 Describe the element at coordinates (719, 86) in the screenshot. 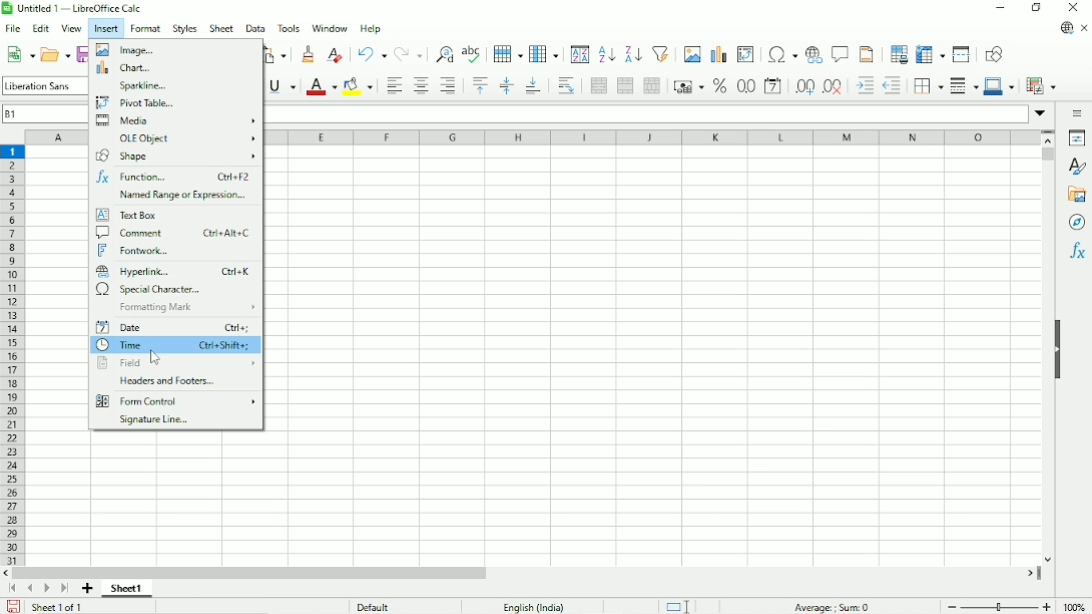

I see `Format as percent` at that location.